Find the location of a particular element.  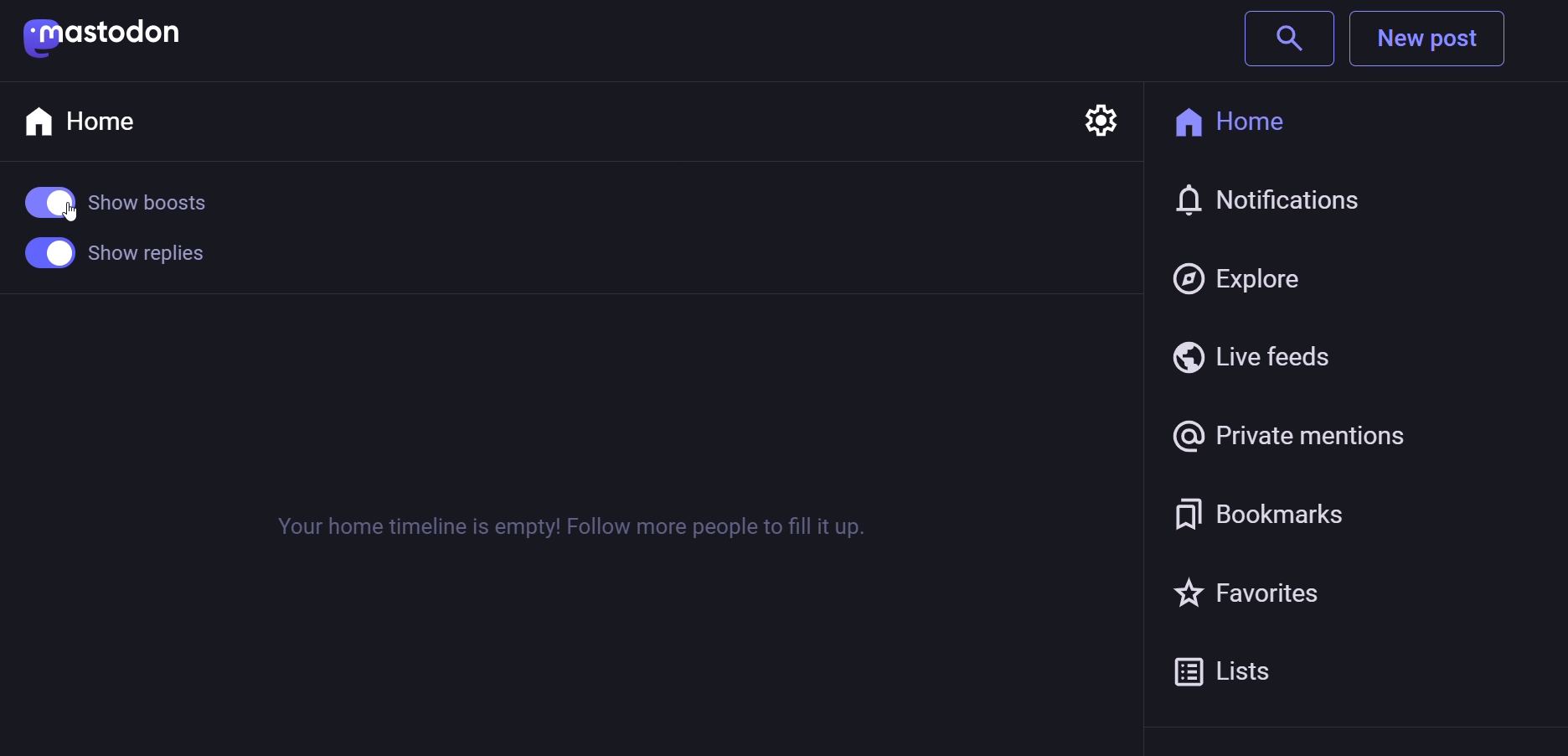

Lists is located at coordinates (1261, 672).